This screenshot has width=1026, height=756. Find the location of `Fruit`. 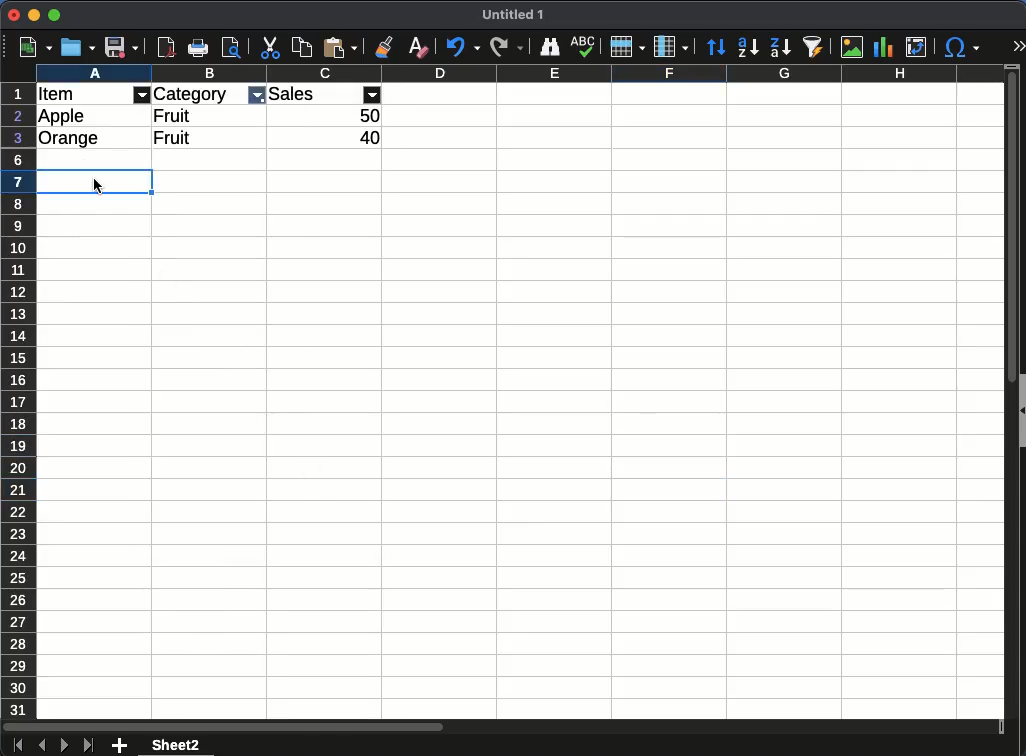

Fruit is located at coordinates (171, 137).